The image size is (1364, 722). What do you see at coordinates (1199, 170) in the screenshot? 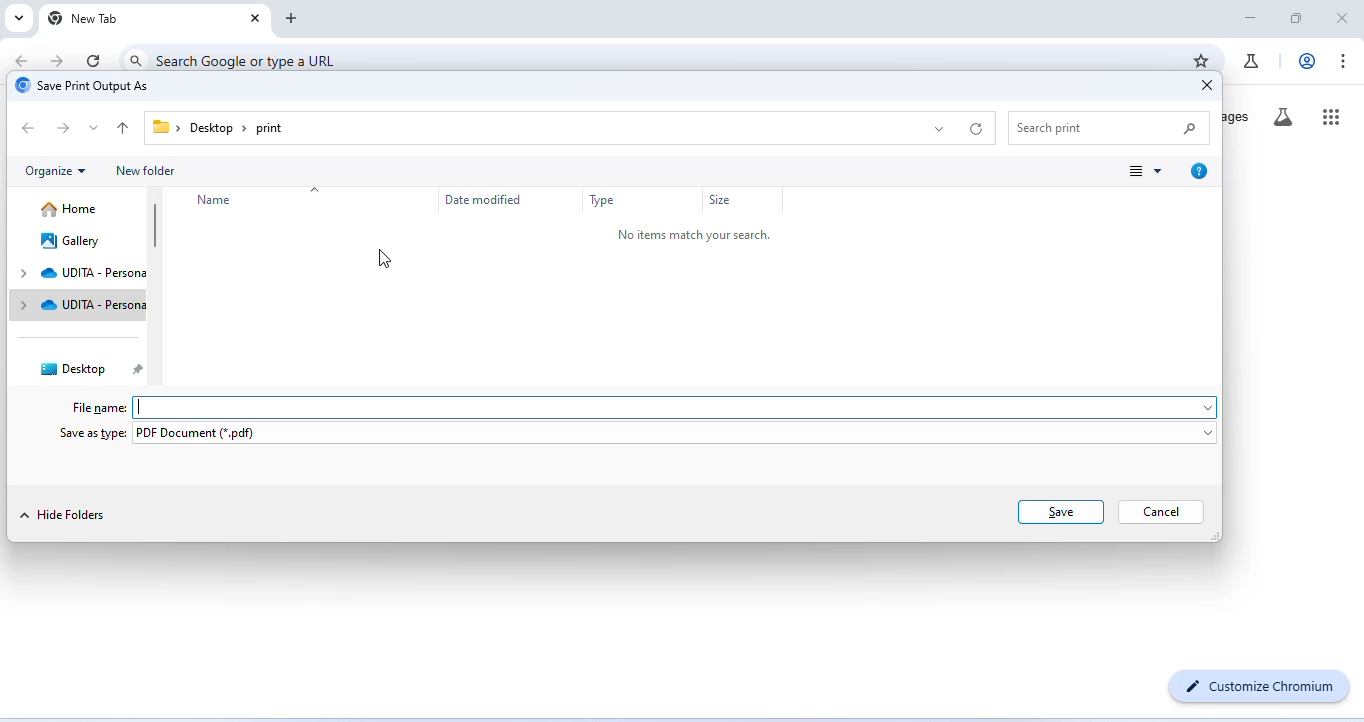
I see `get help` at bounding box center [1199, 170].